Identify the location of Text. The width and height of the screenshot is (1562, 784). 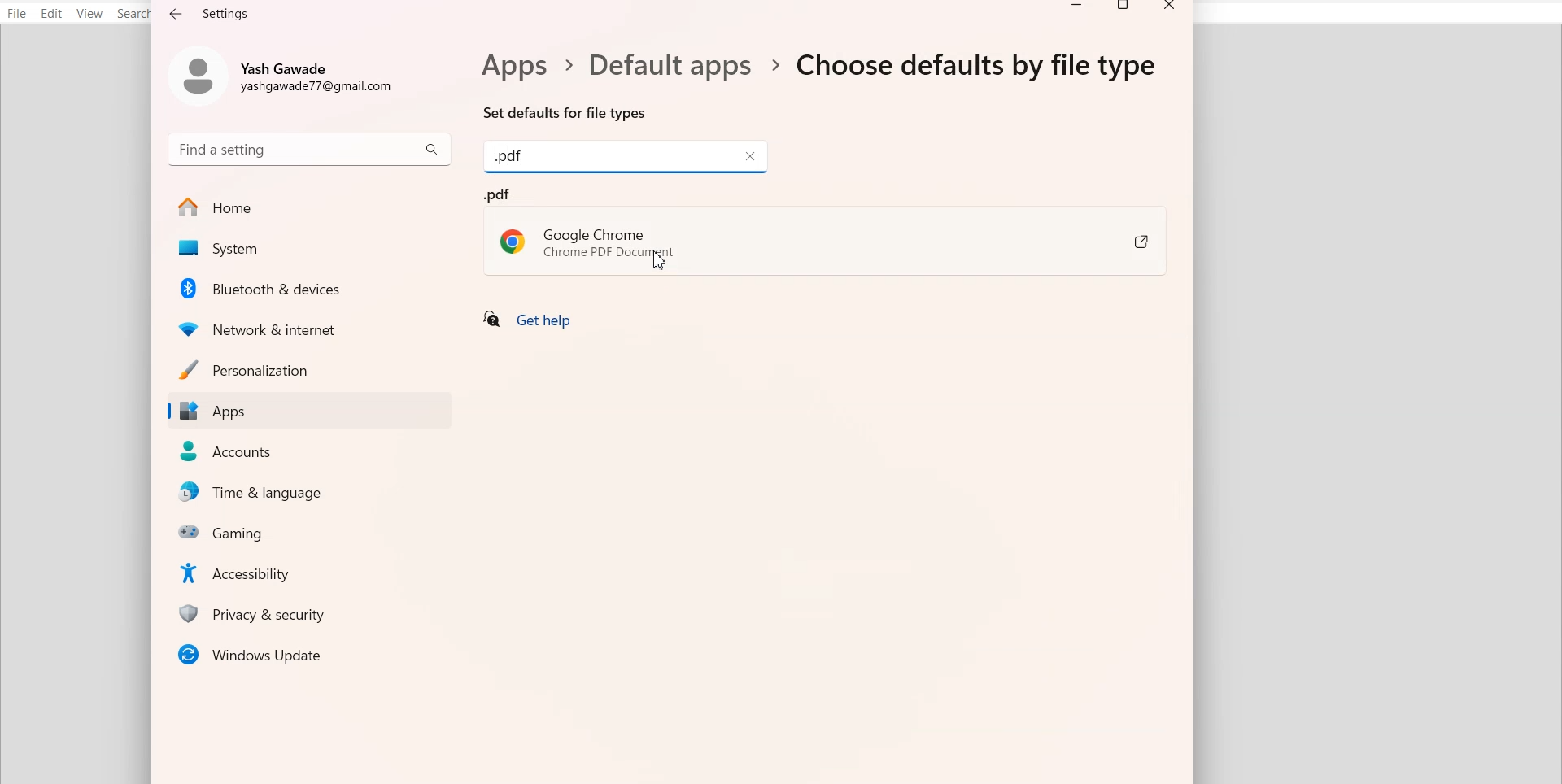
(211, 13).